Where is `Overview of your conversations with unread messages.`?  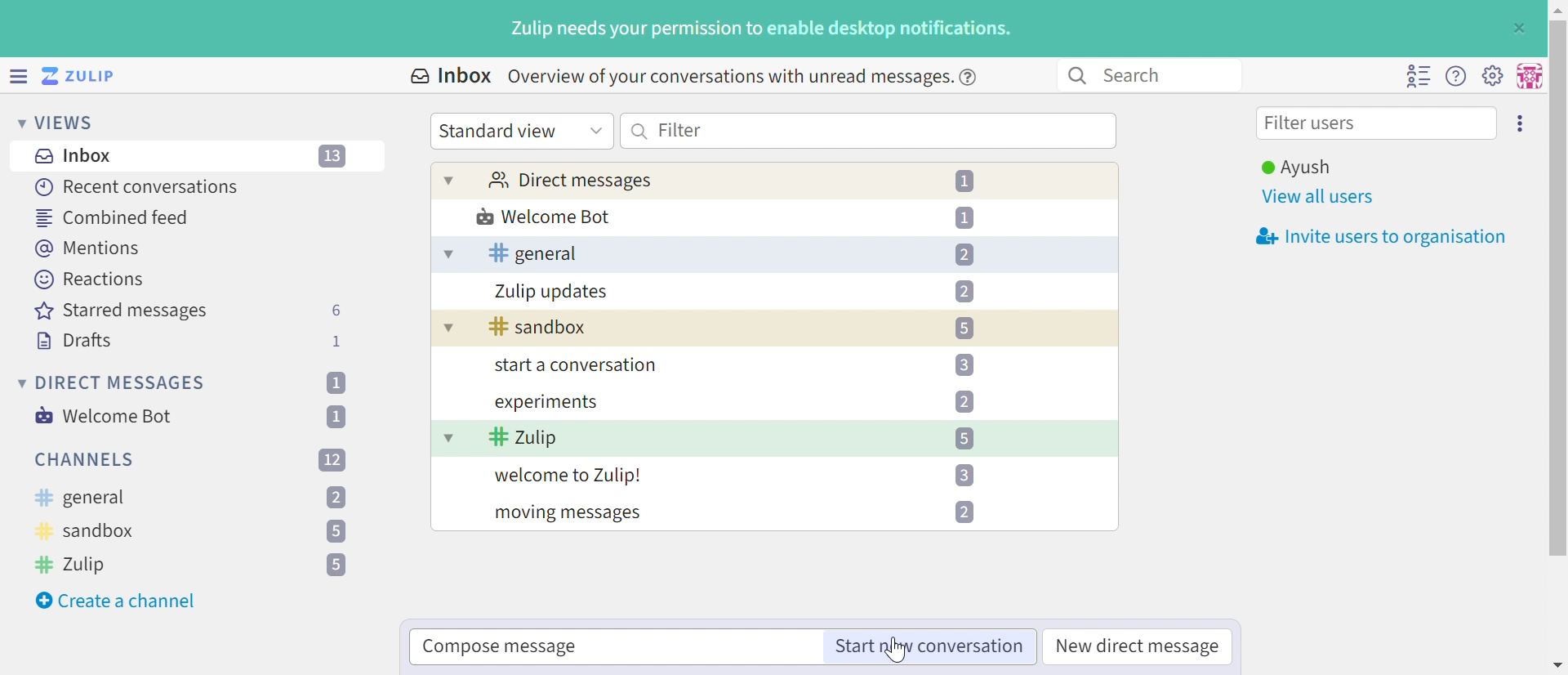 Overview of your conversations with unread messages. is located at coordinates (727, 76).